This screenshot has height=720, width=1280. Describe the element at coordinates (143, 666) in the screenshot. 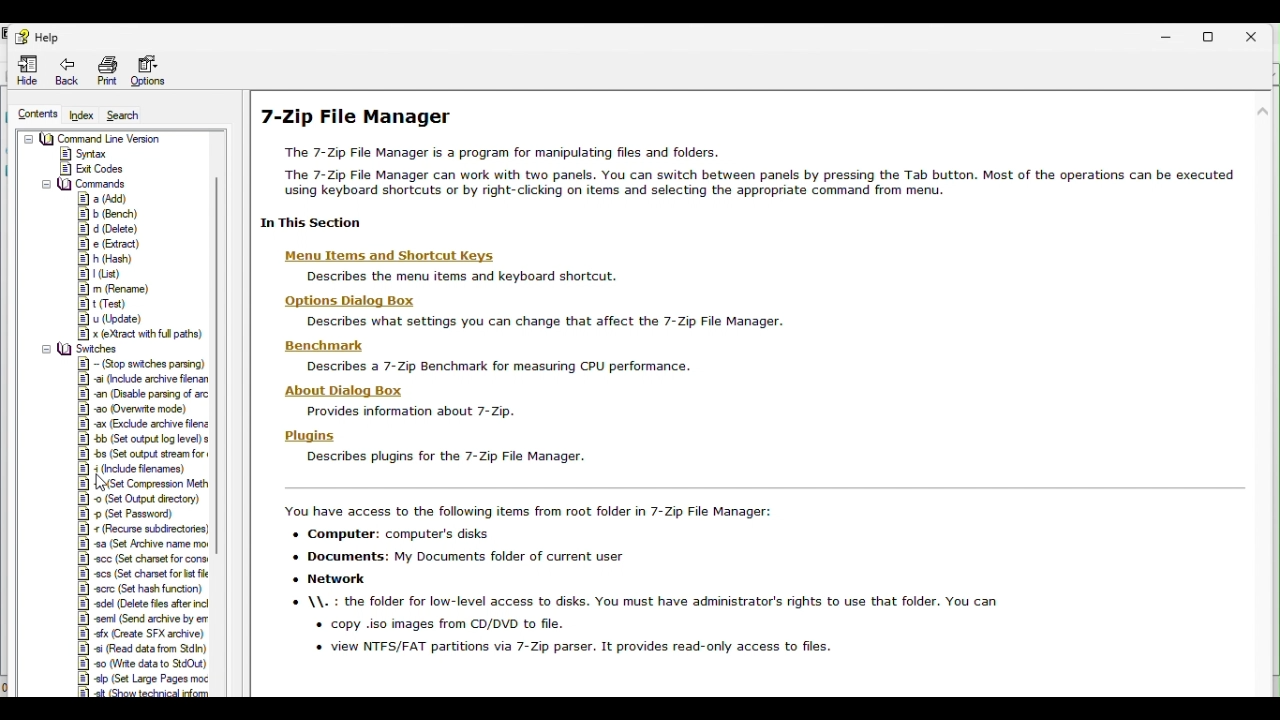

I see `write data to stdout` at that location.